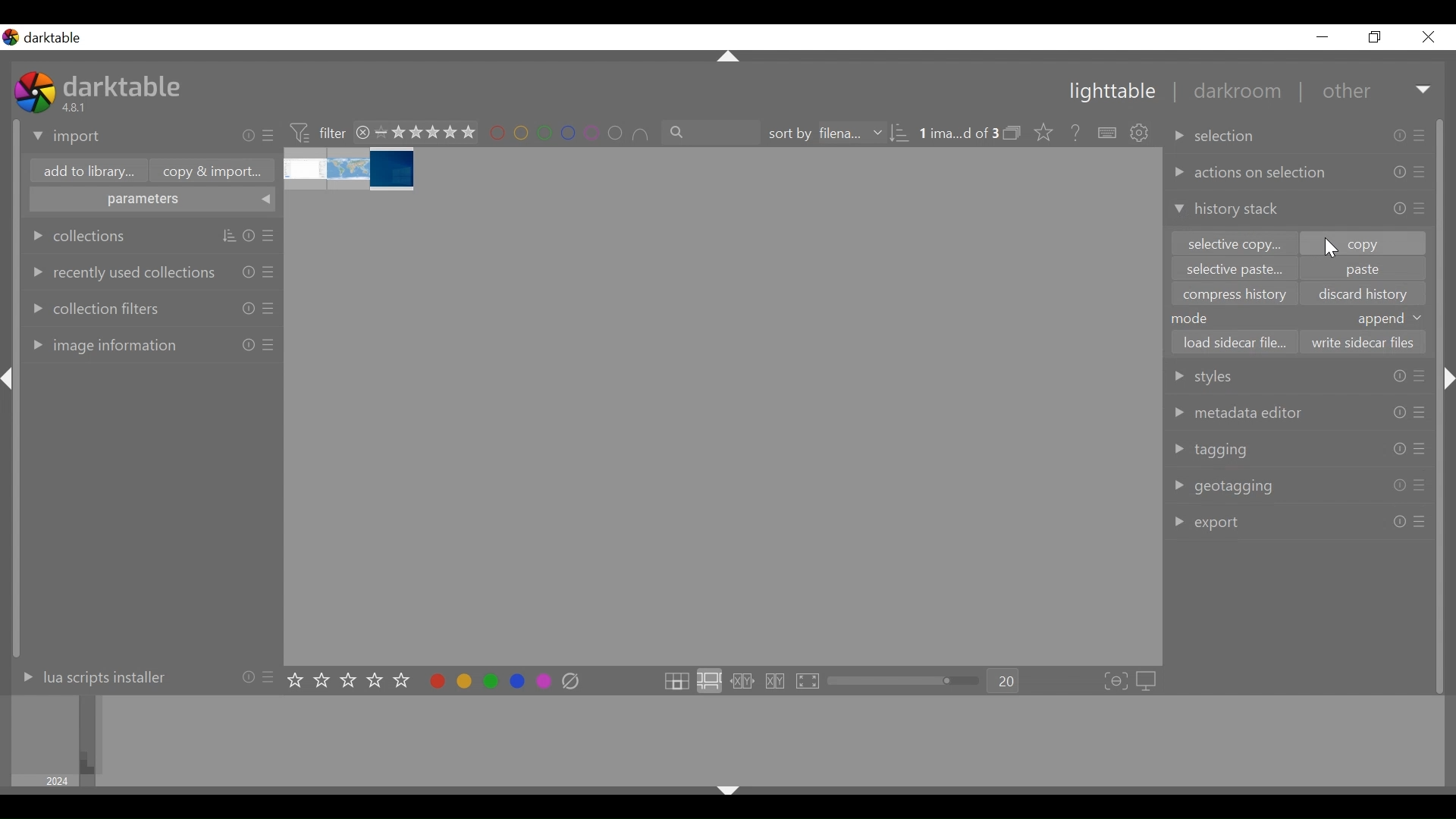  I want to click on sort by, so click(823, 133).